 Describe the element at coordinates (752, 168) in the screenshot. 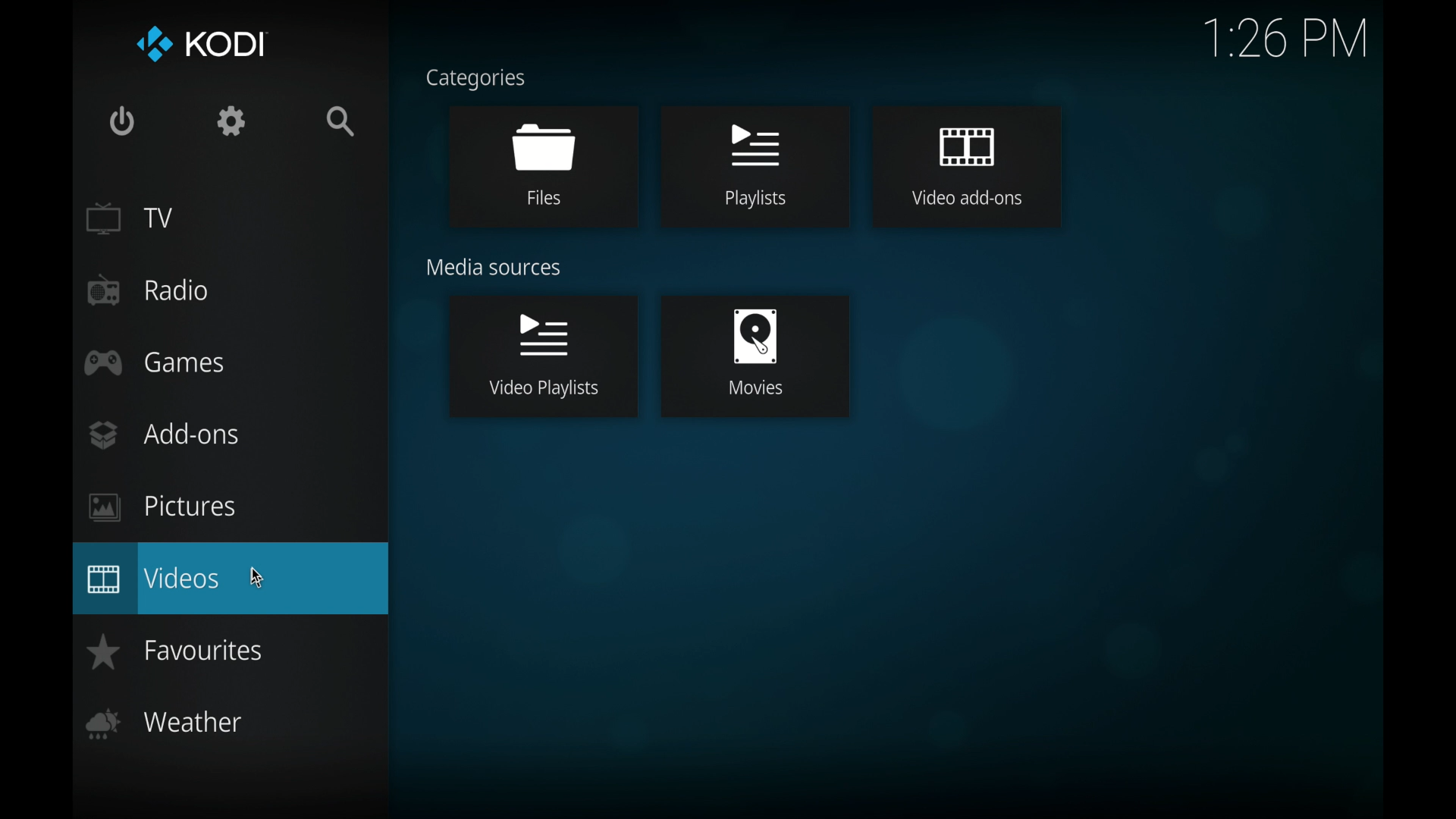

I see `playlists` at that location.